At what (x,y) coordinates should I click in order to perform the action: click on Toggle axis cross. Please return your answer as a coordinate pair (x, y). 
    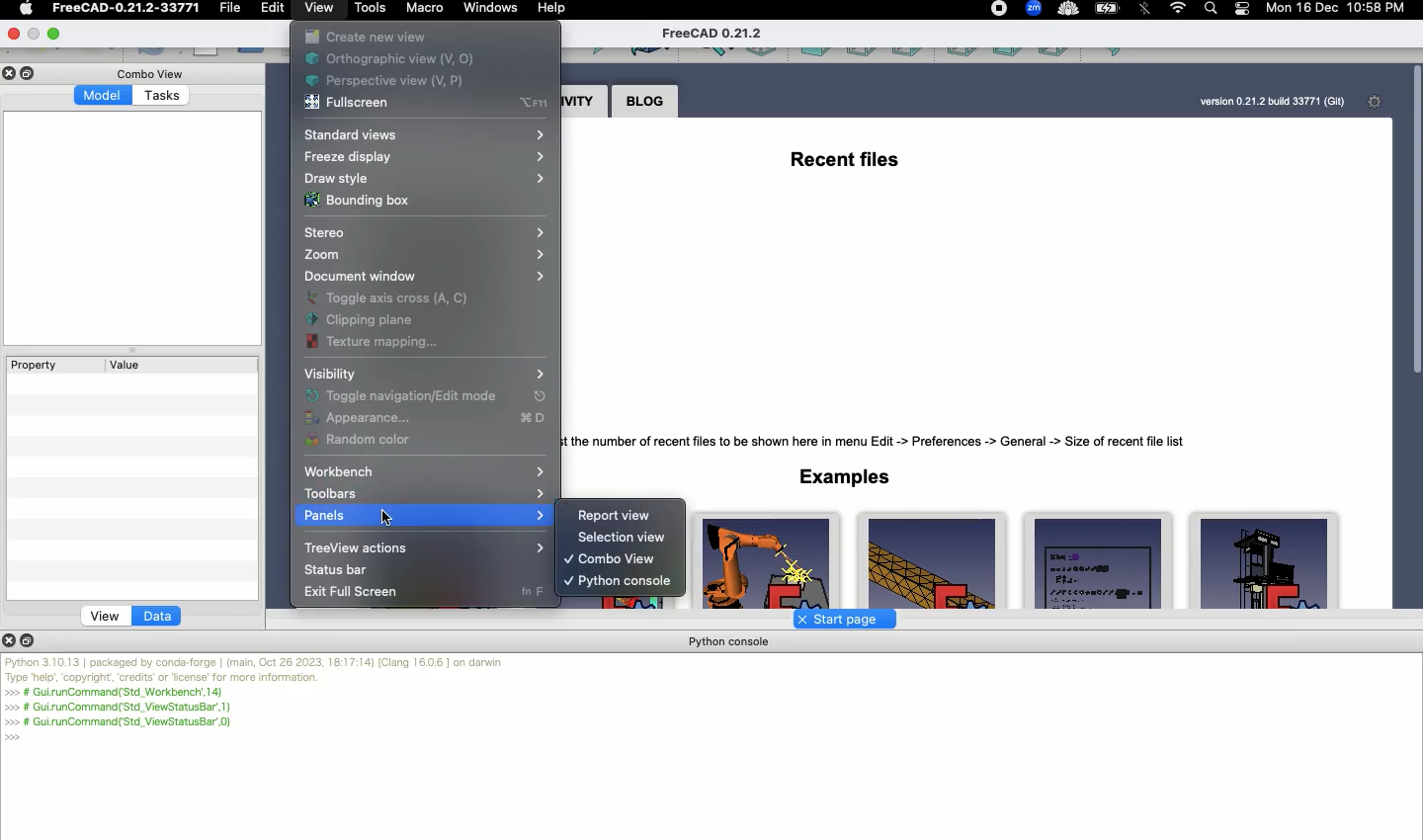
    Looking at the image, I should click on (406, 297).